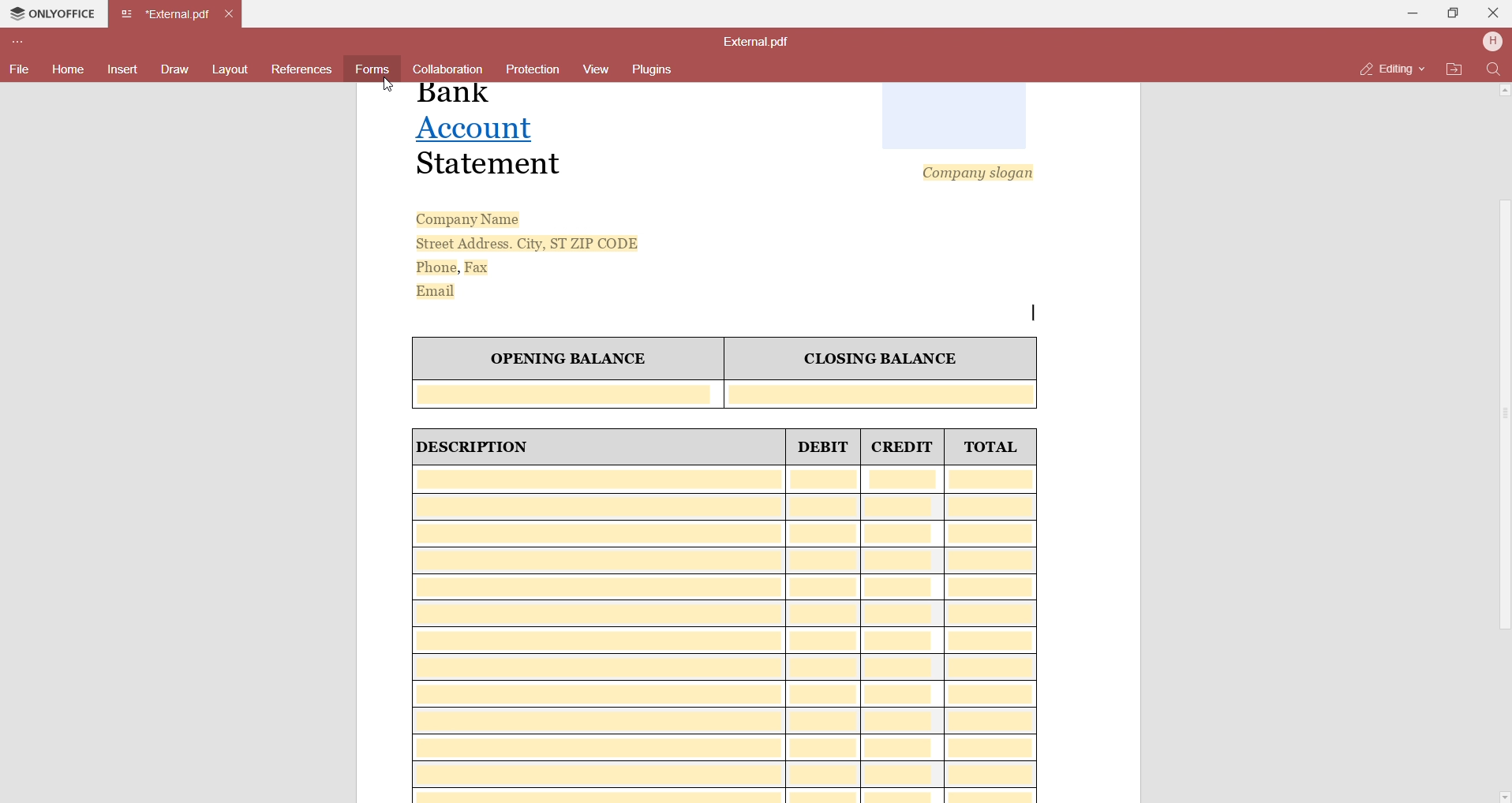 This screenshot has height=803, width=1512. Describe the element at coordinates (1508, 94) in the screenshot. I see `Scroll Up` at that location.